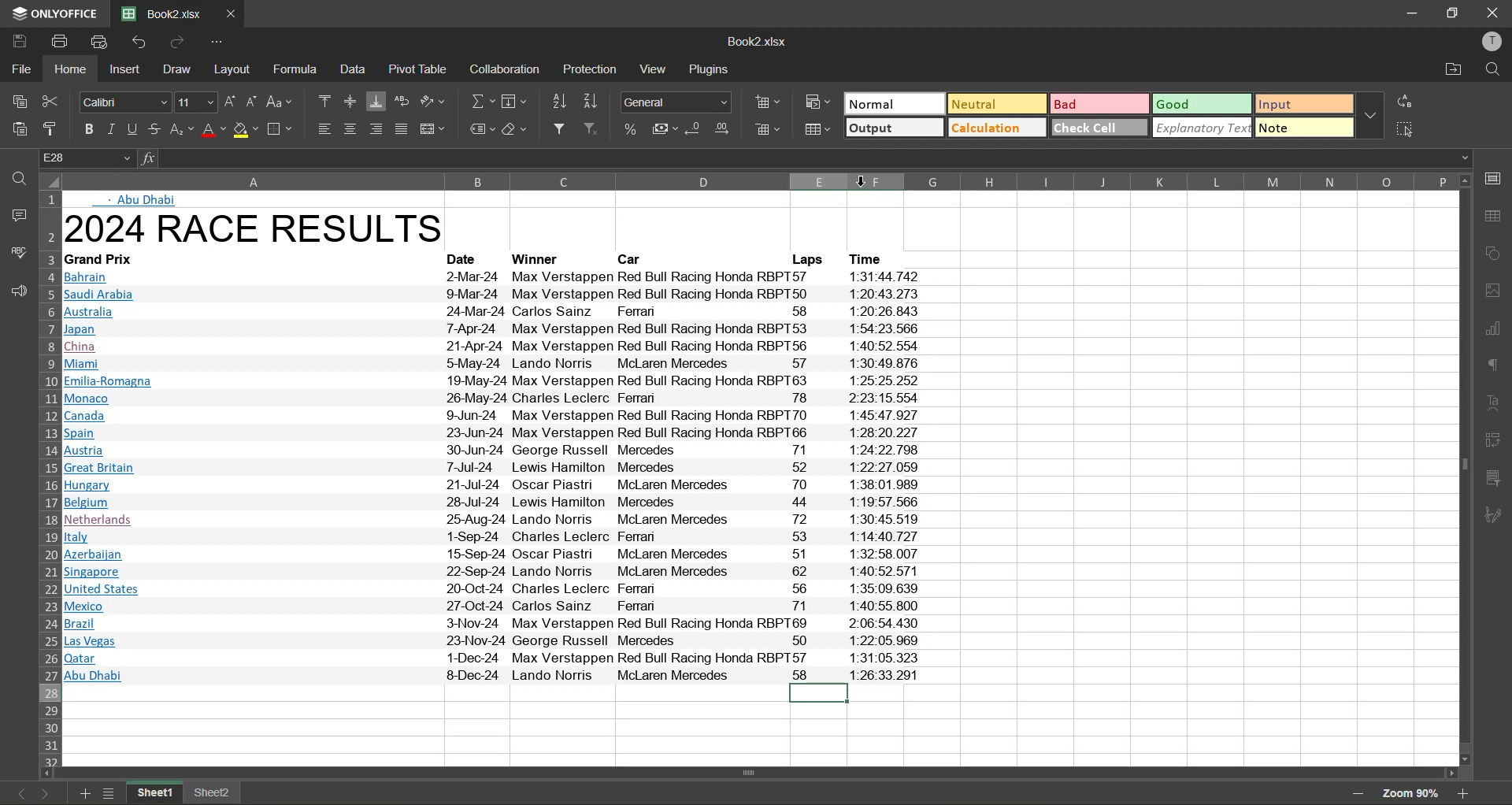  I want to click on align center, so click(351, 127).